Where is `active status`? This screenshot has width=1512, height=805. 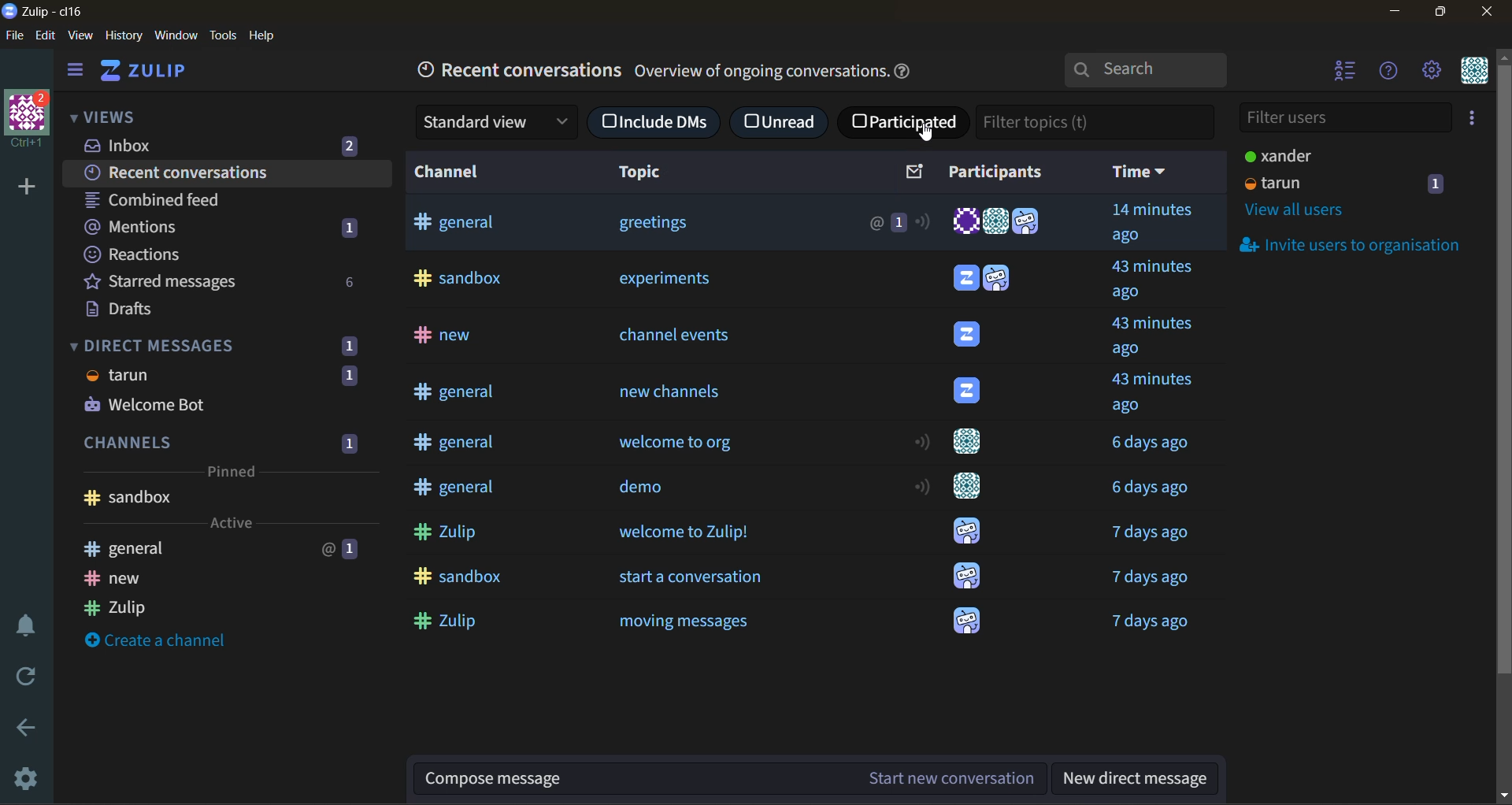
active status is located at coordinates (921, 487).